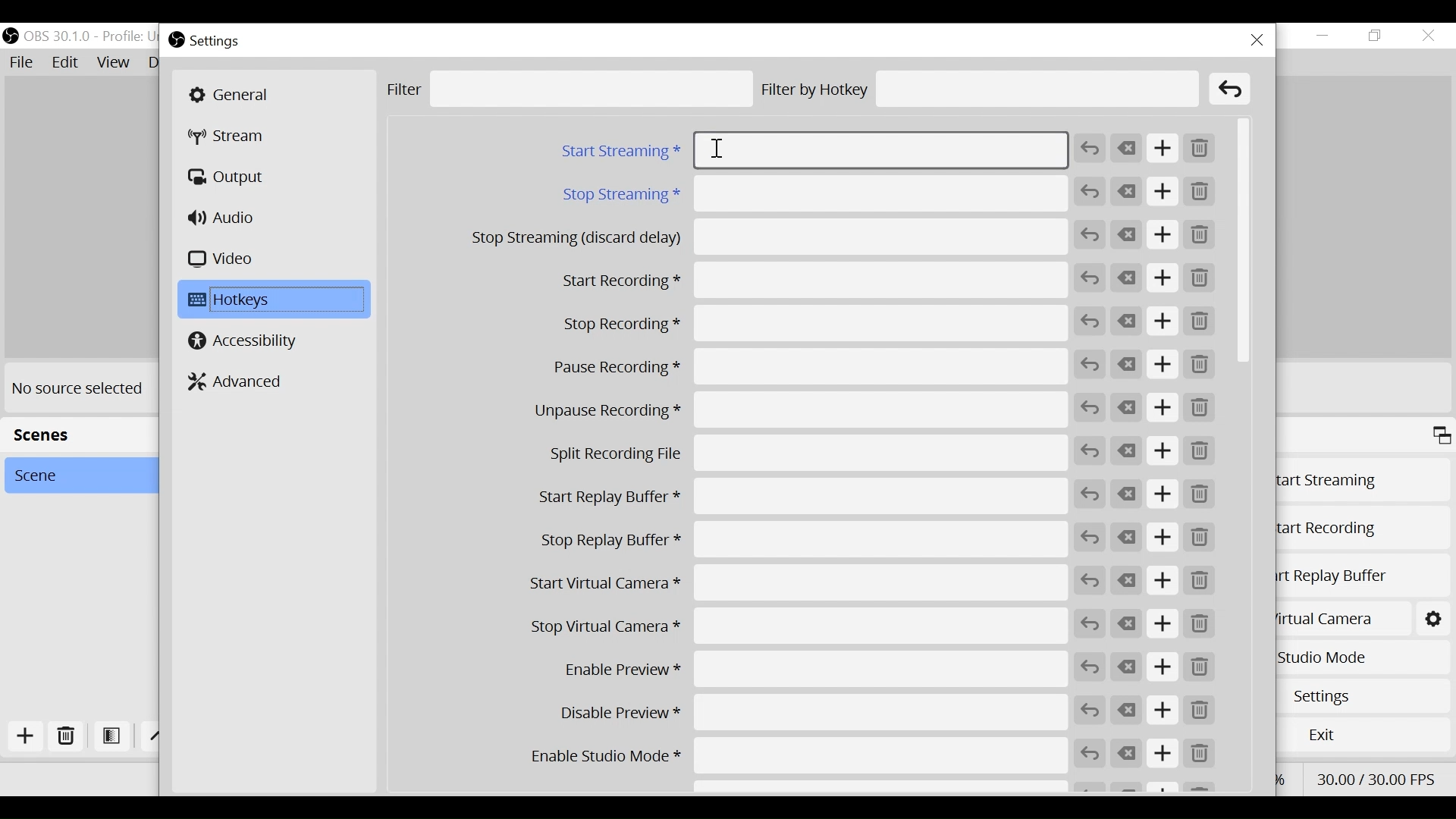 Image resolution: width=1456 pixels, height=819 pixels. What do you see at coordinates (1203, 278) in the screenshot?
I see `Remove` at bounding box center [1203, 278].